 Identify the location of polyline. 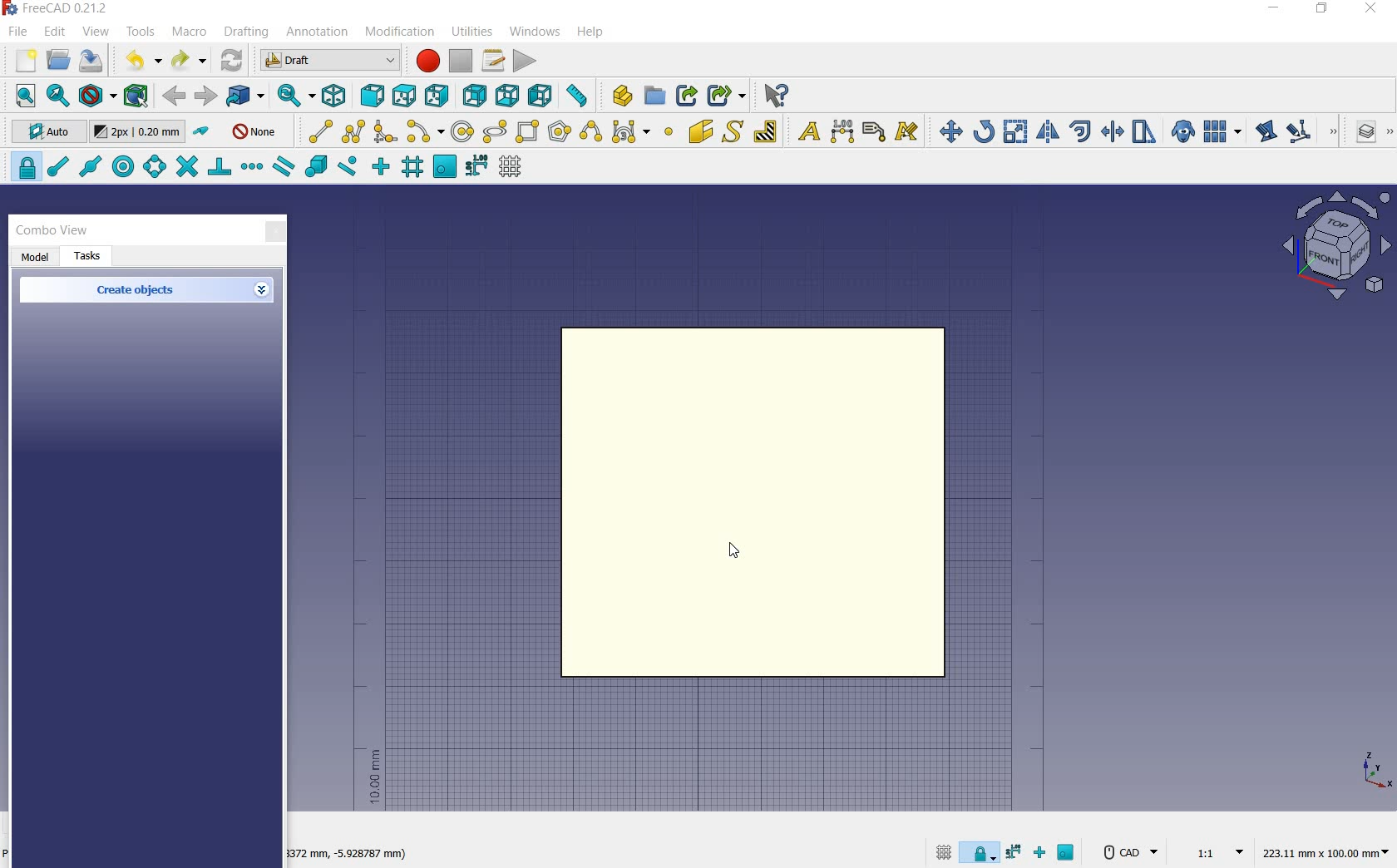
(354, 131).